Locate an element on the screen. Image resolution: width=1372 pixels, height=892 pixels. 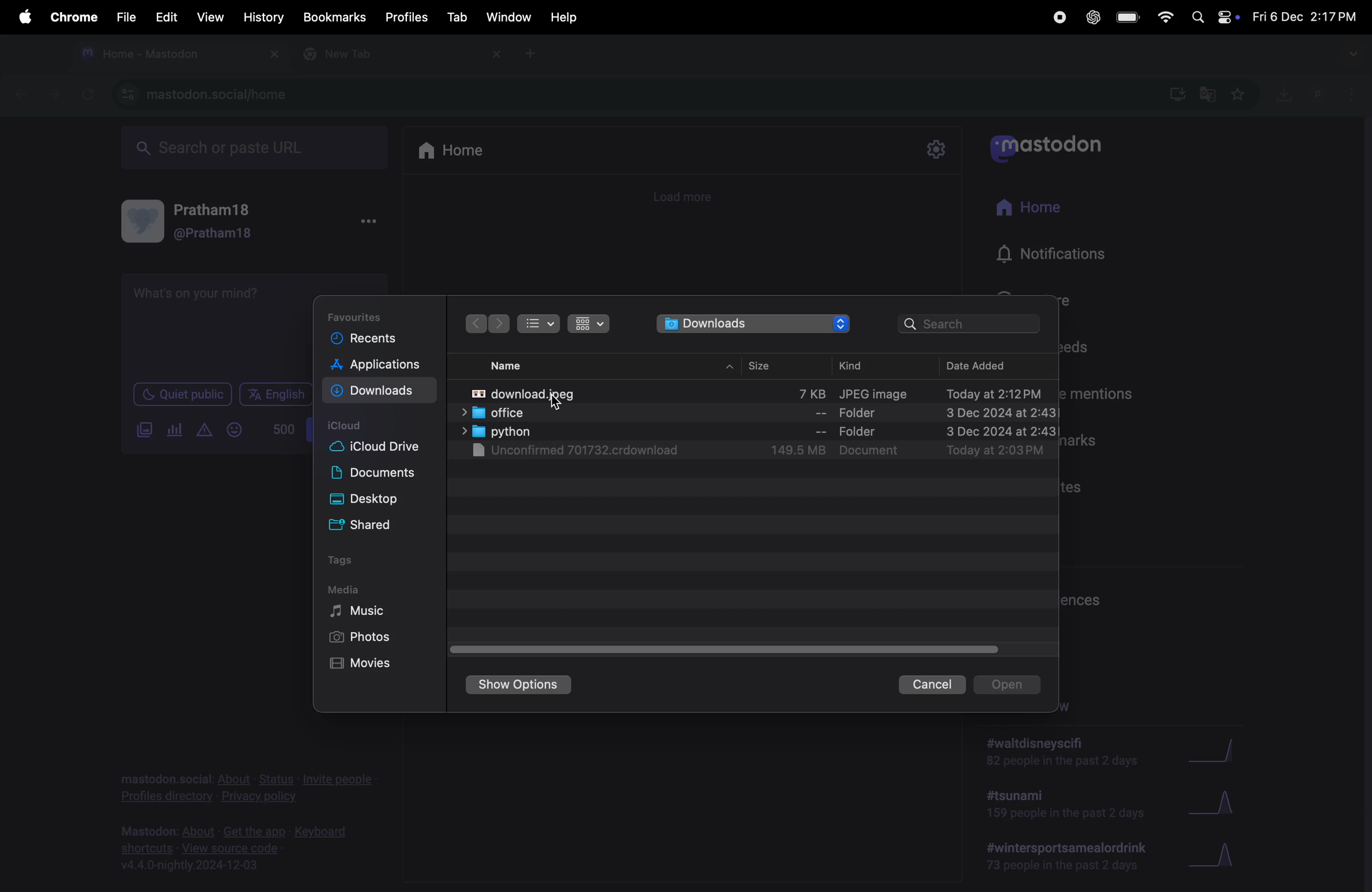
add image is located at coordinates (147, 432).